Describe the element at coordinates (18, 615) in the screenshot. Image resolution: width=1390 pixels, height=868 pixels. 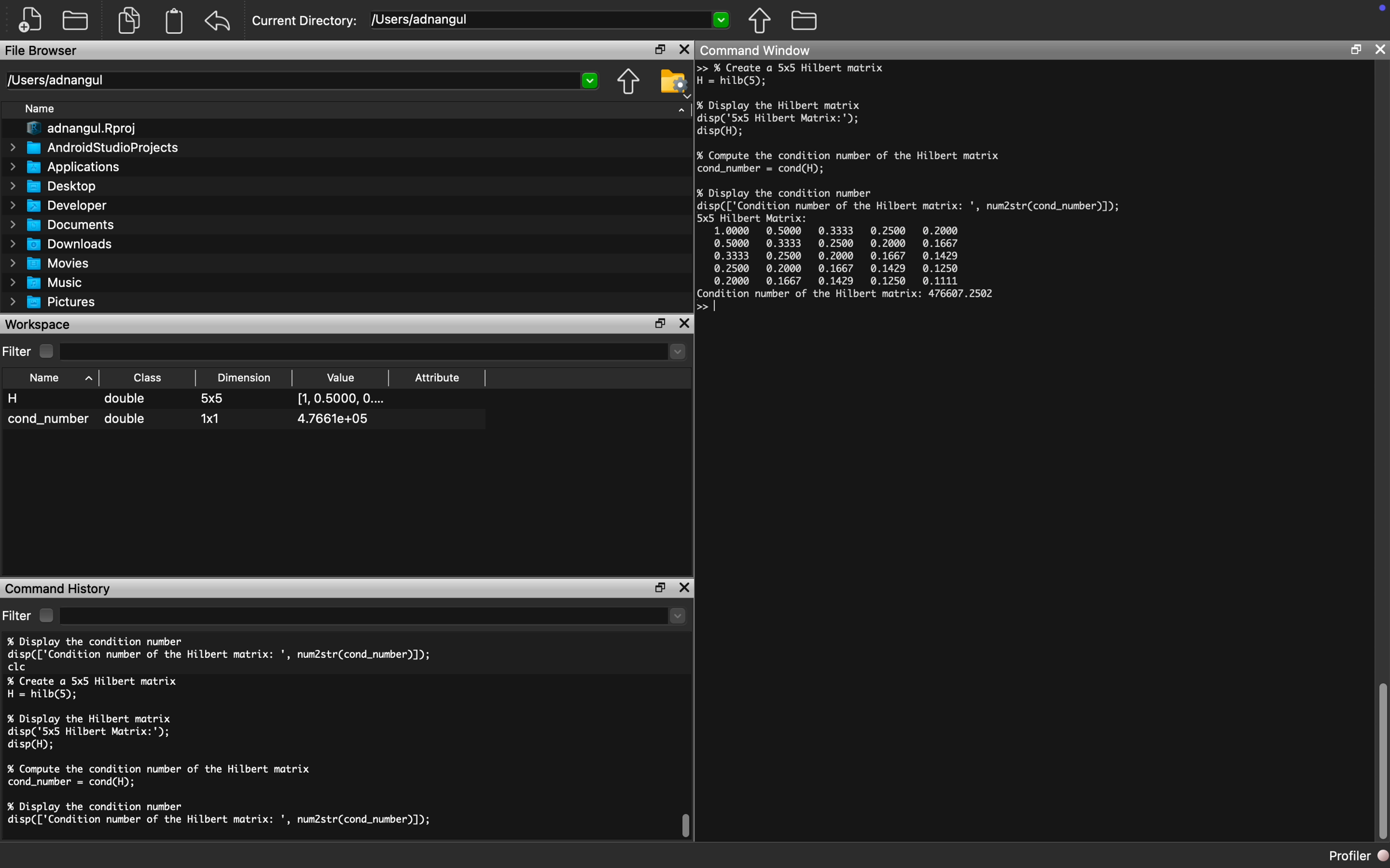
I see `Filter` at that location.